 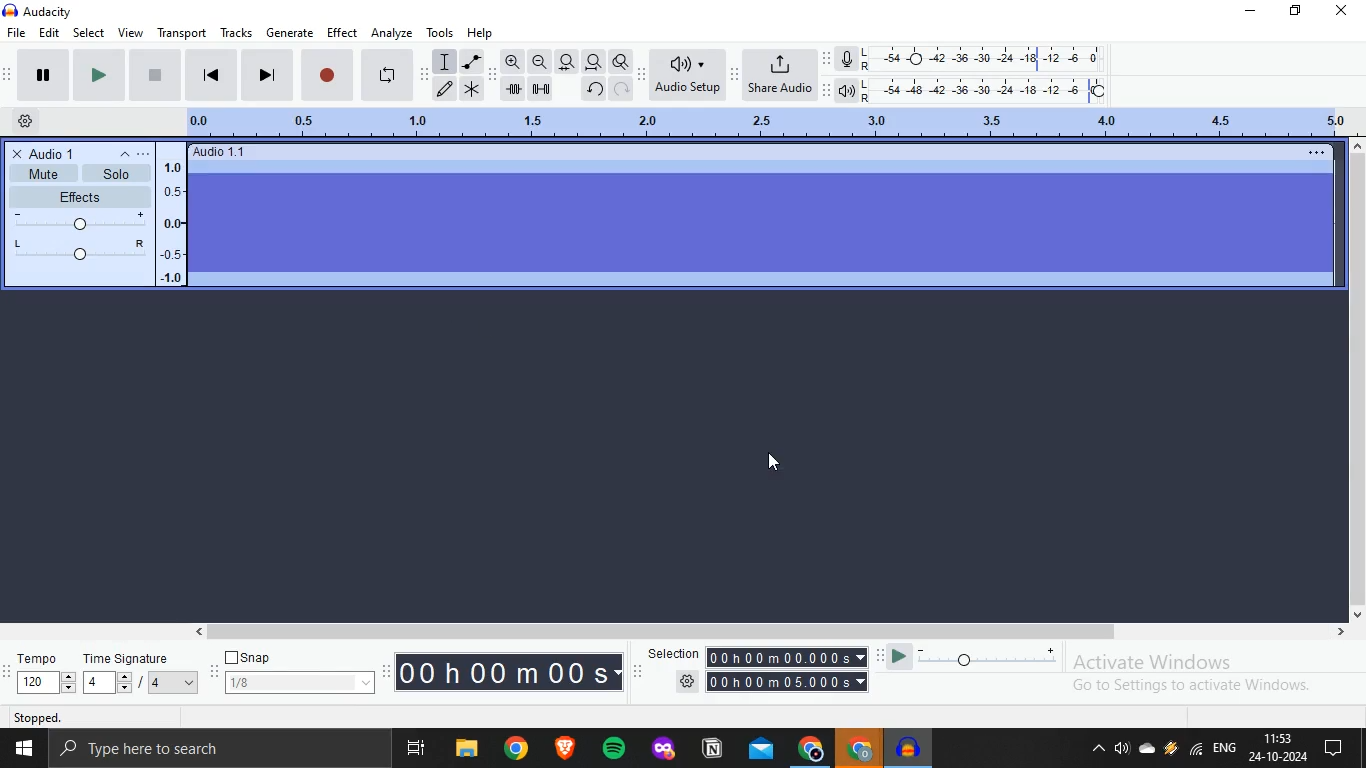 I want to click on Onedrive, so click(x=1145, y=752).